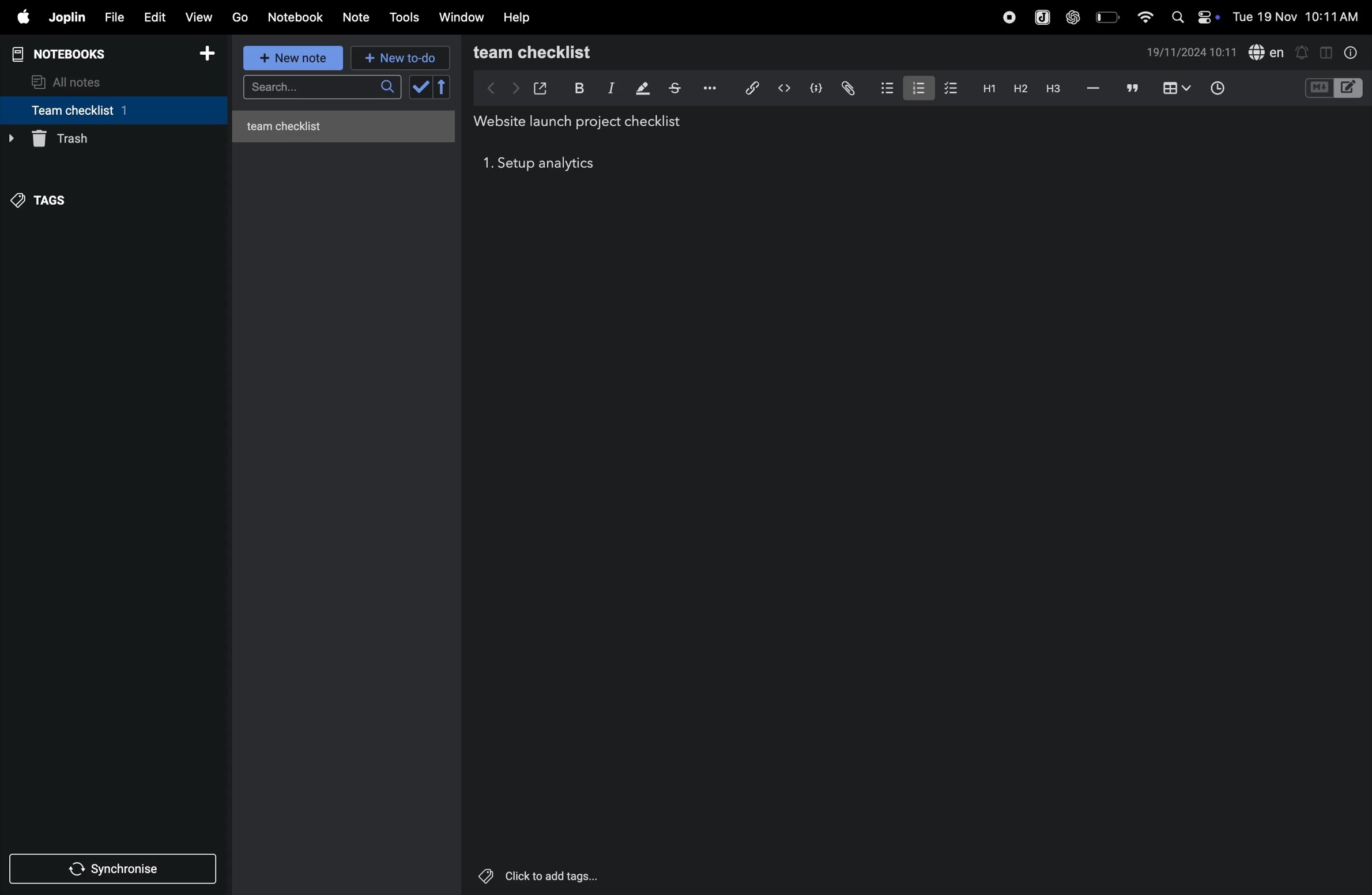 This screenshot has width=1372, height=895. What do you see at coordinates (553, 876) in the screenshot?
I see `` at bounding box center [553, 876].